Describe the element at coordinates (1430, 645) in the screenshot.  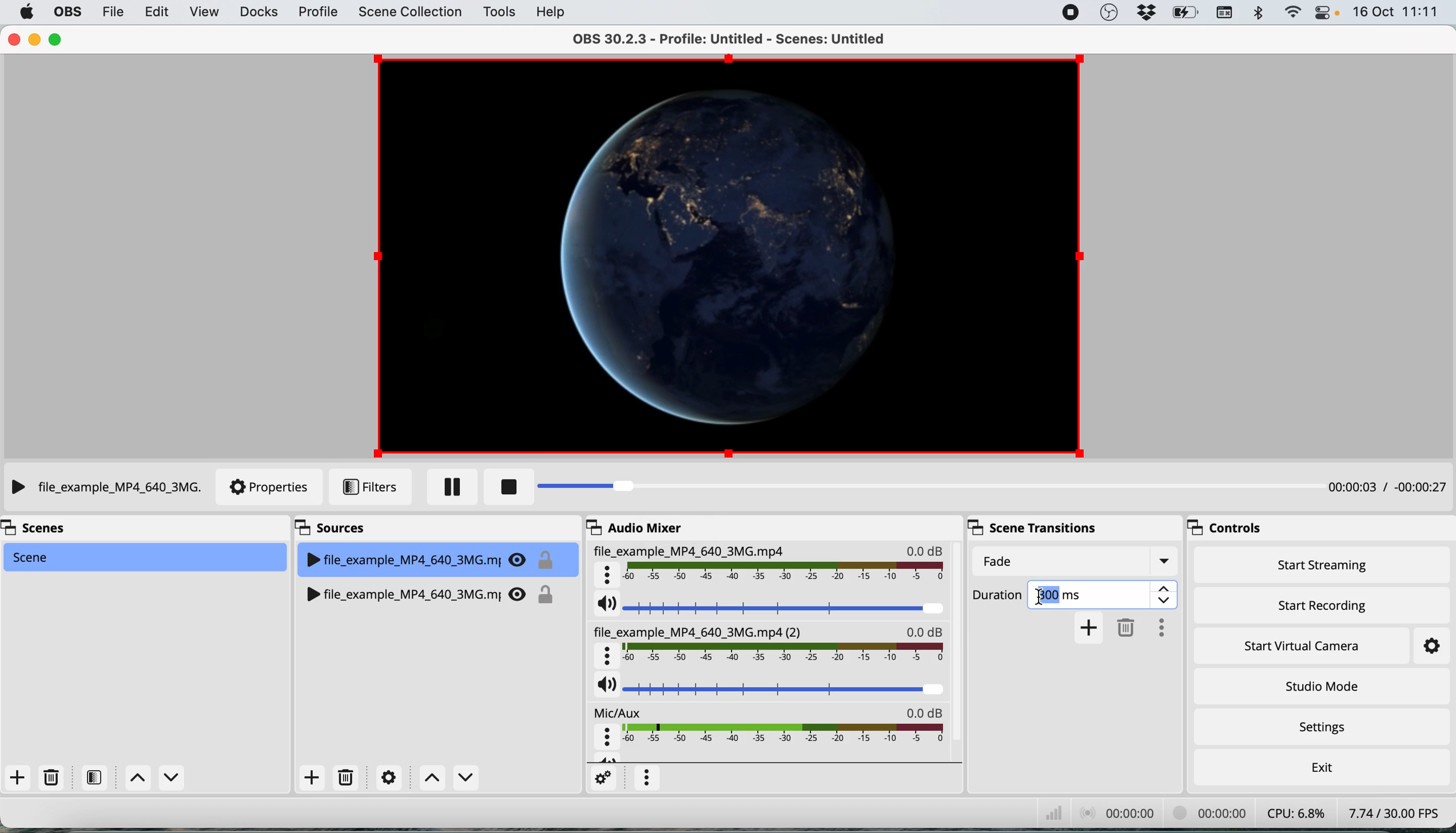
I see `settings` at that location.